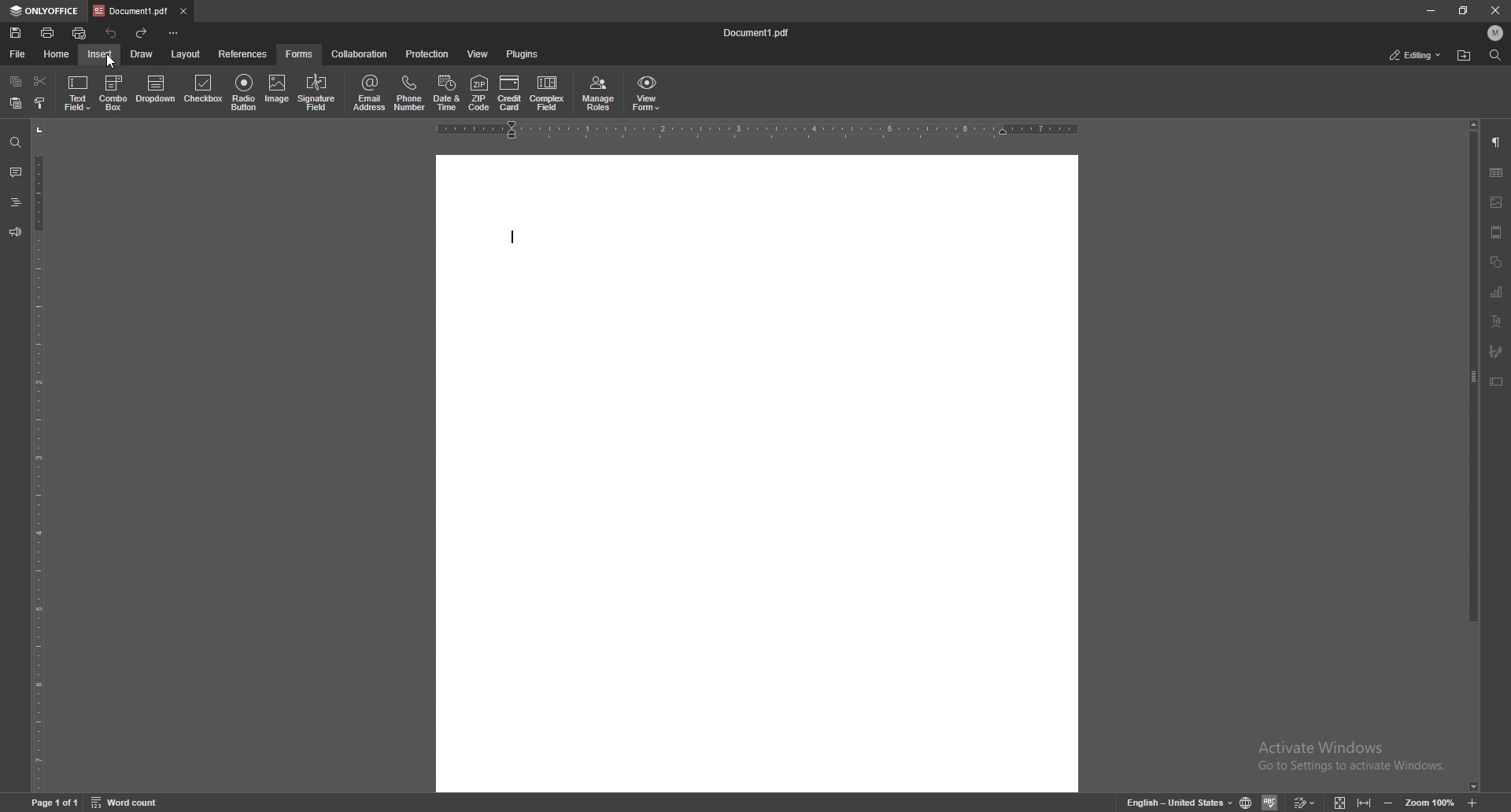  I want to click on comment, so click(16, 172).